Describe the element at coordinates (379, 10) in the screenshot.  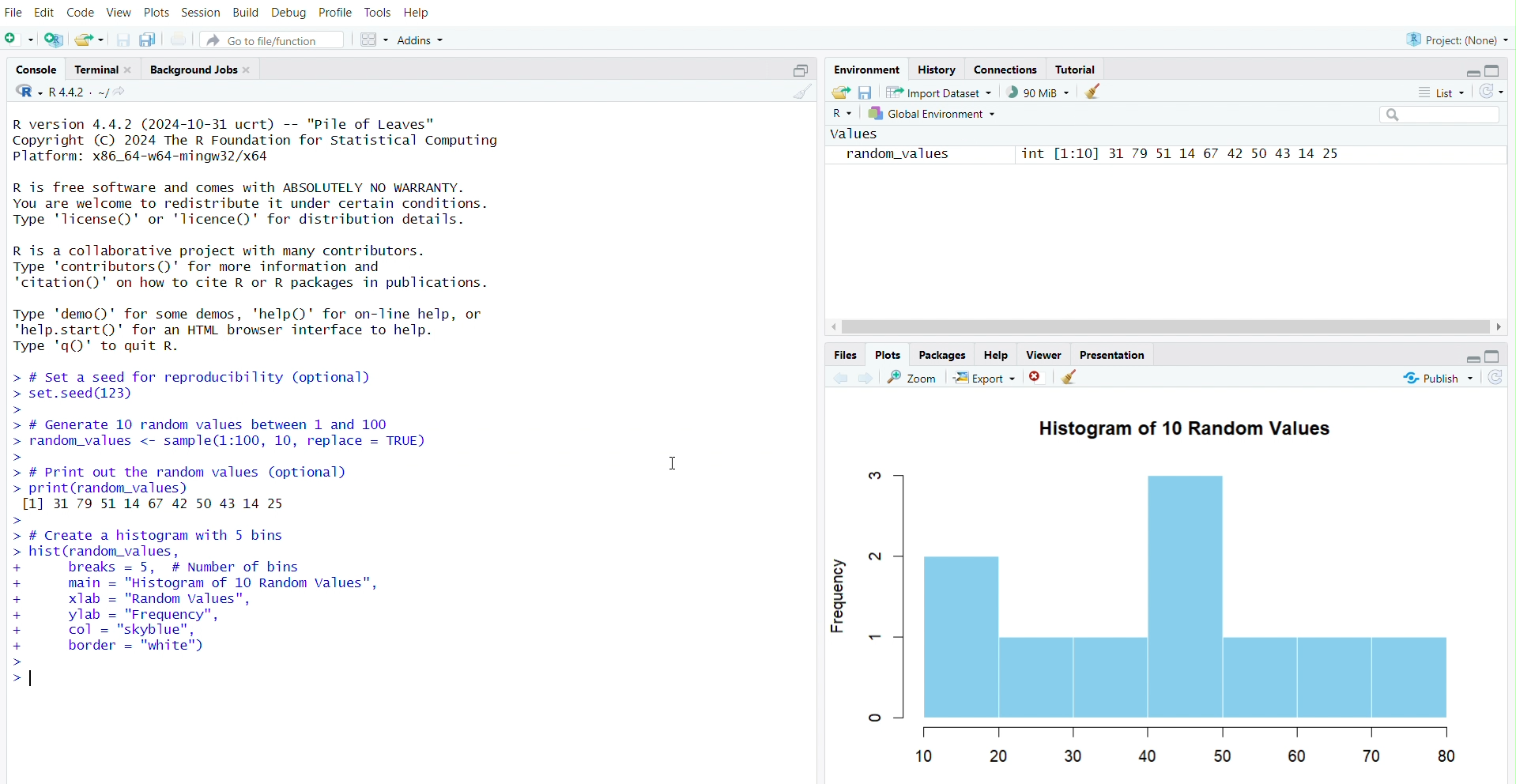
I see `tools` at that location.